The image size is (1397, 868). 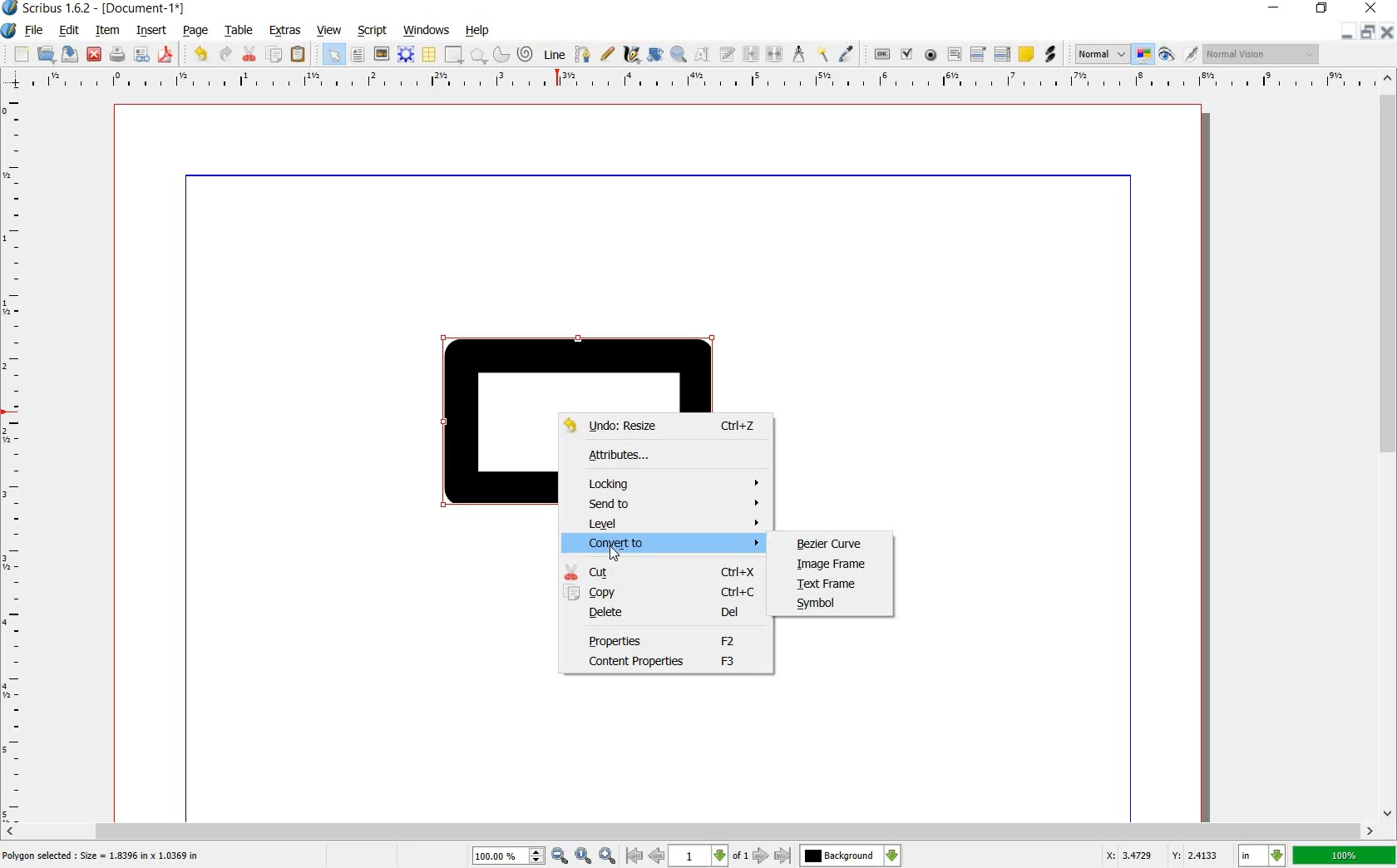 I want to click on toggle color management system, so click(x=1143, y=55).